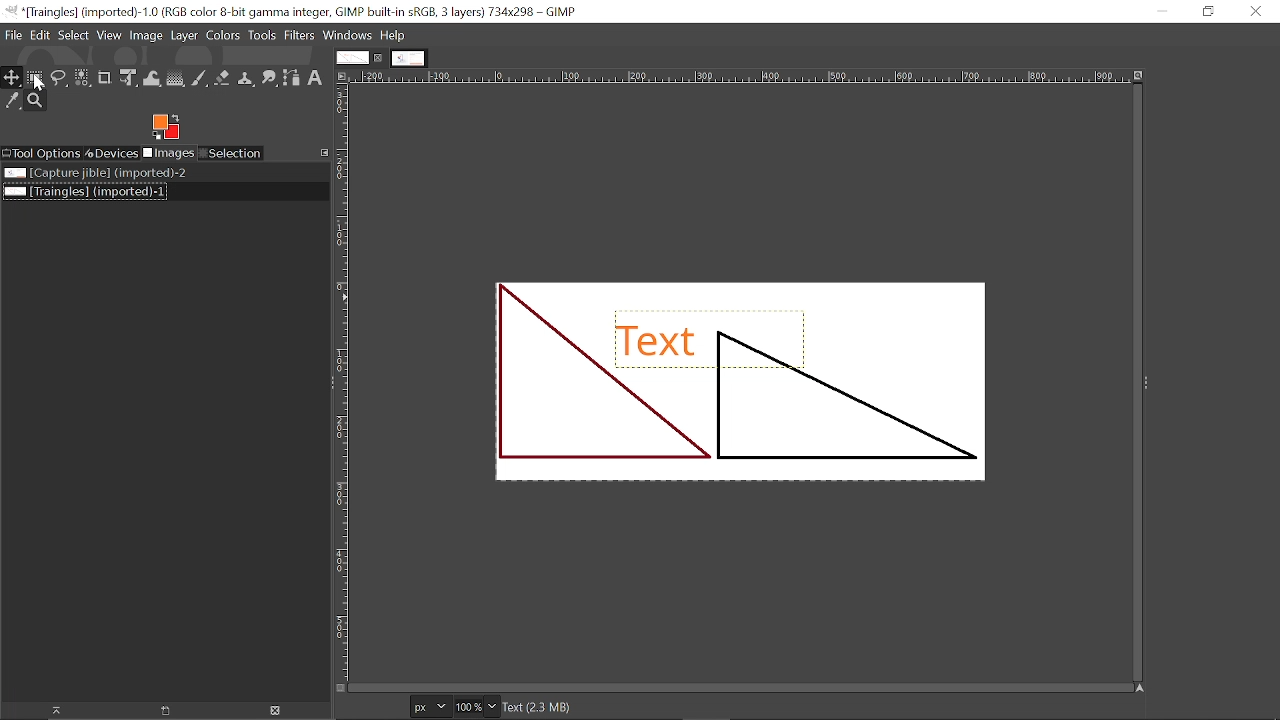 The width and height of the screenshot is (1280, 720). What do you see at coordinates (494, 707) in the screenshot?
I see `Zoom options` at bounding box center [494, 707].